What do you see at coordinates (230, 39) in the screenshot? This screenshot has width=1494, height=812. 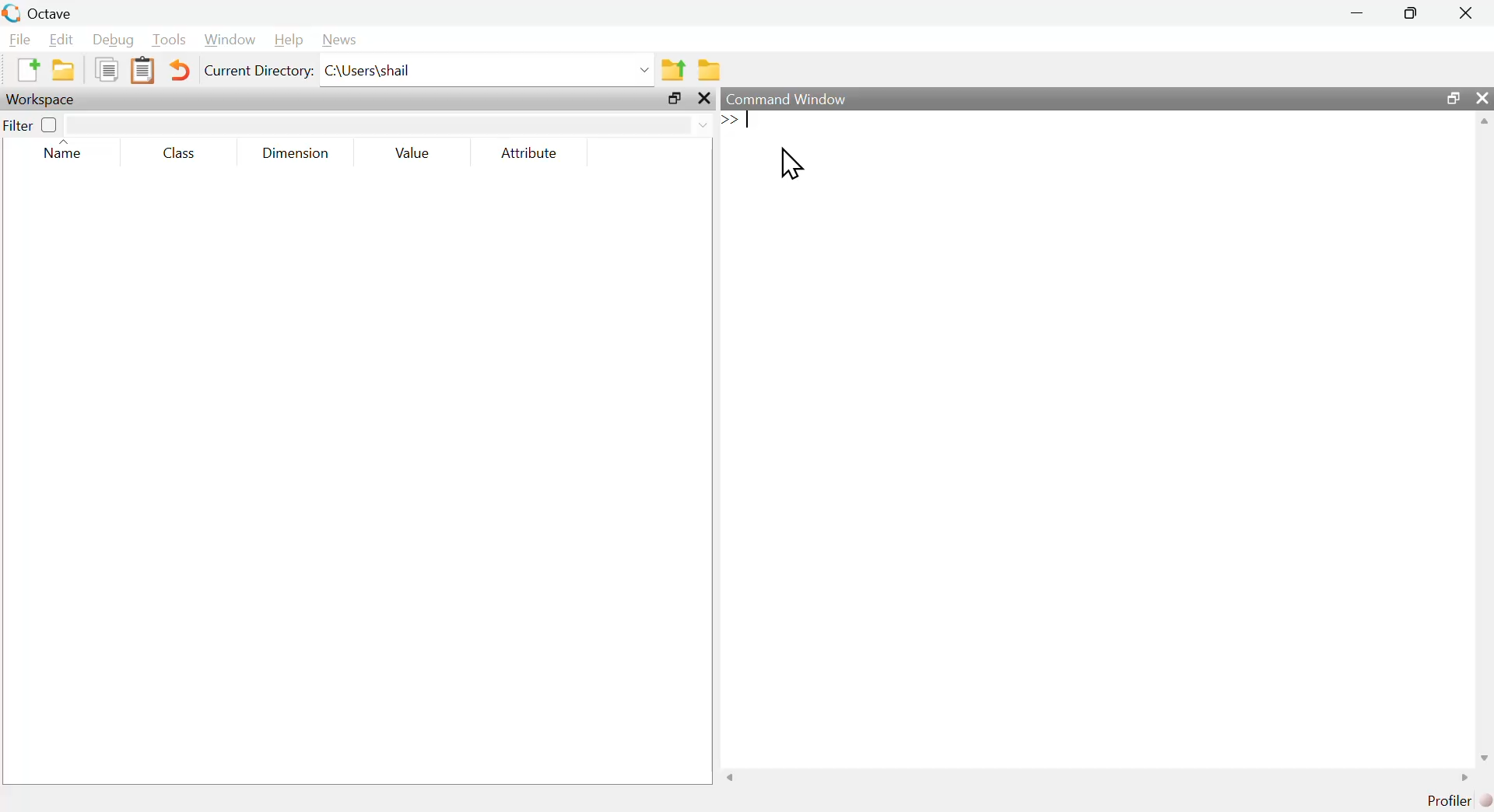 I see `Window` at bounding box center [230, 39].